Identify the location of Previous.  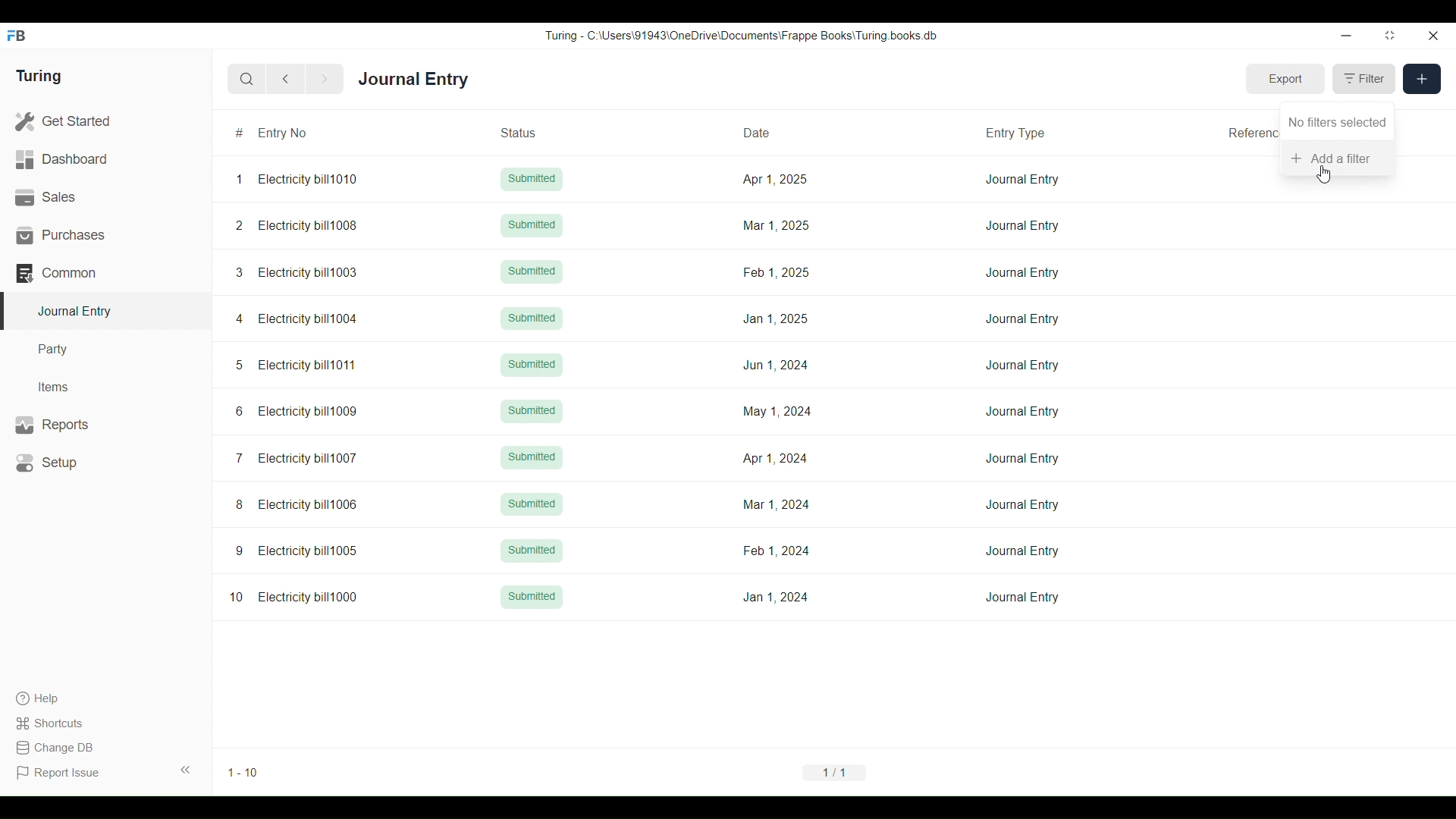
(286, 79).